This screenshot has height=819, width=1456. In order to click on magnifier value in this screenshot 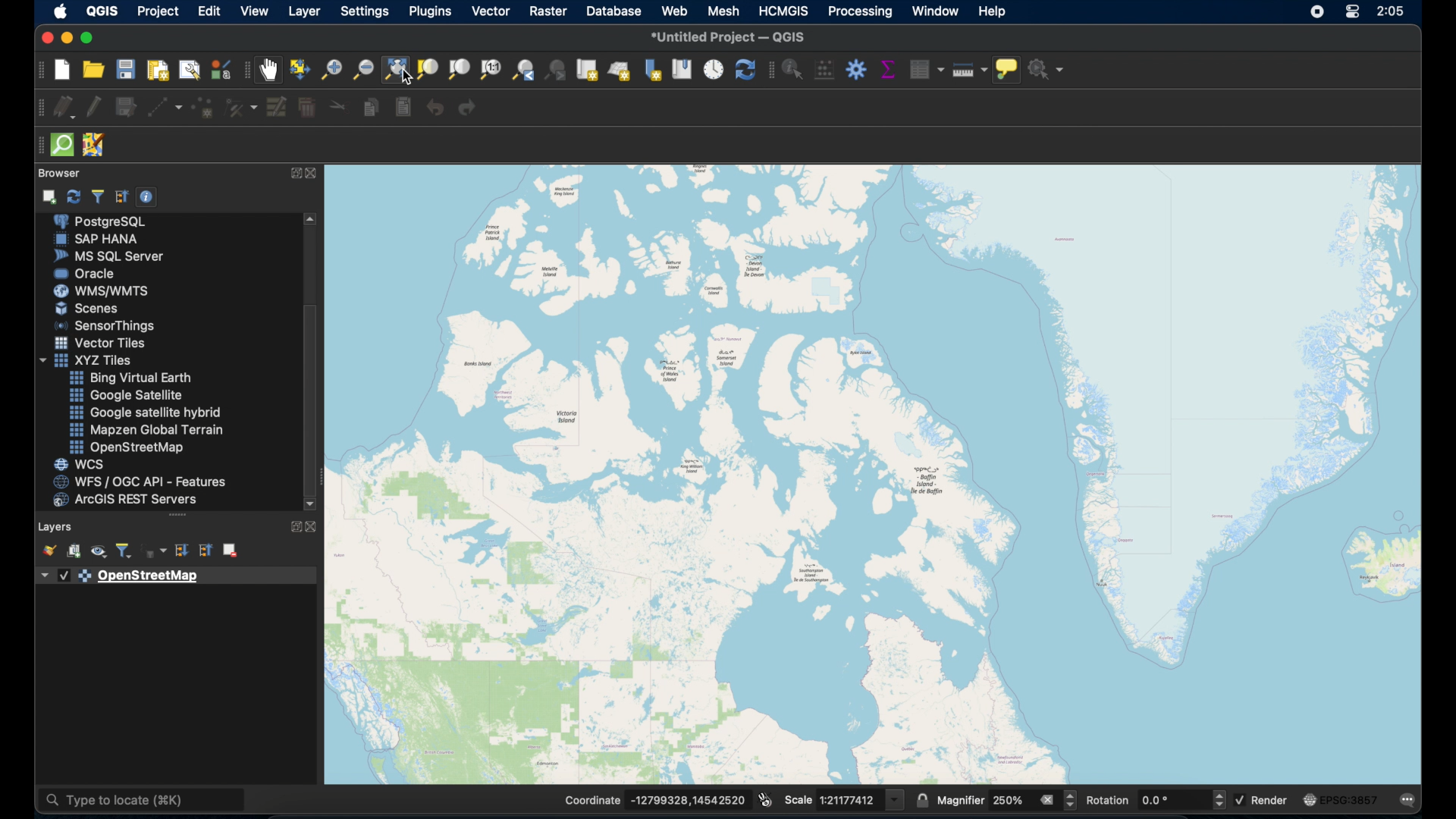, I will do `click(1013, 801)`.